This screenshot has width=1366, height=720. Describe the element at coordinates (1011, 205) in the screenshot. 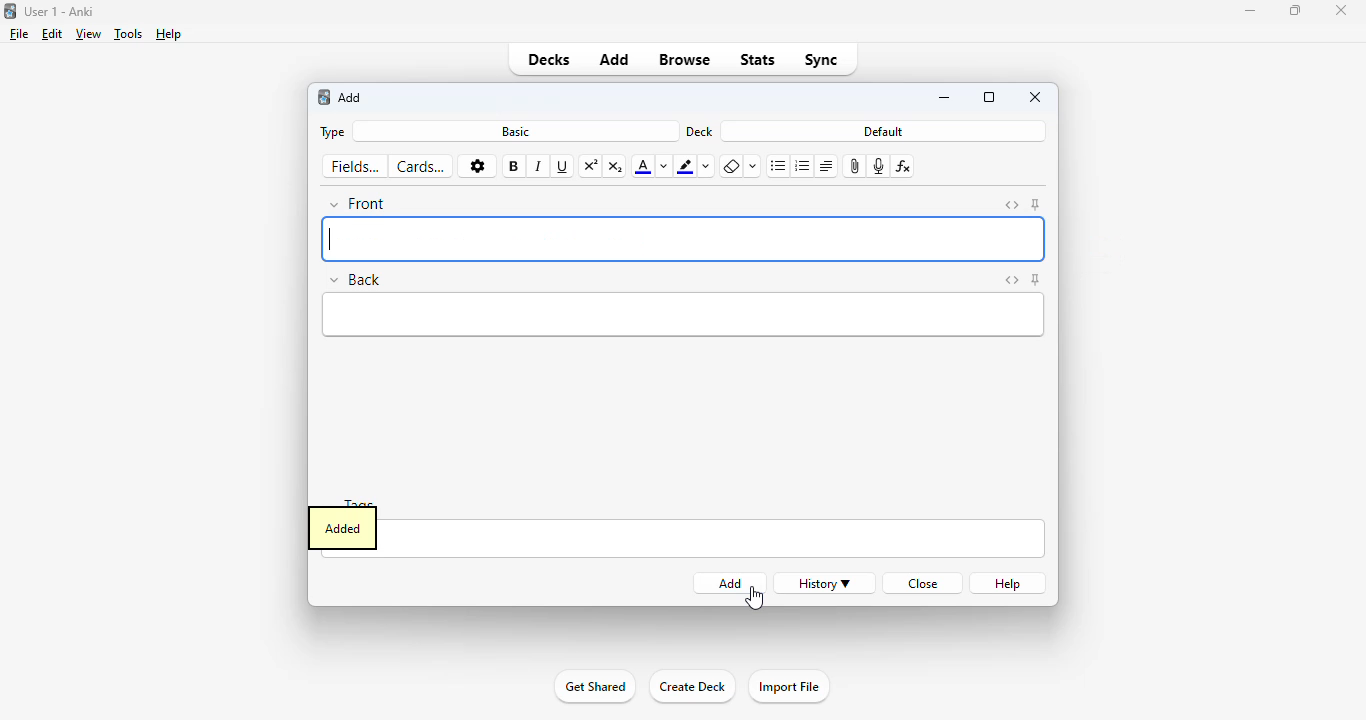

I see `toggle HTML editor` at that location.